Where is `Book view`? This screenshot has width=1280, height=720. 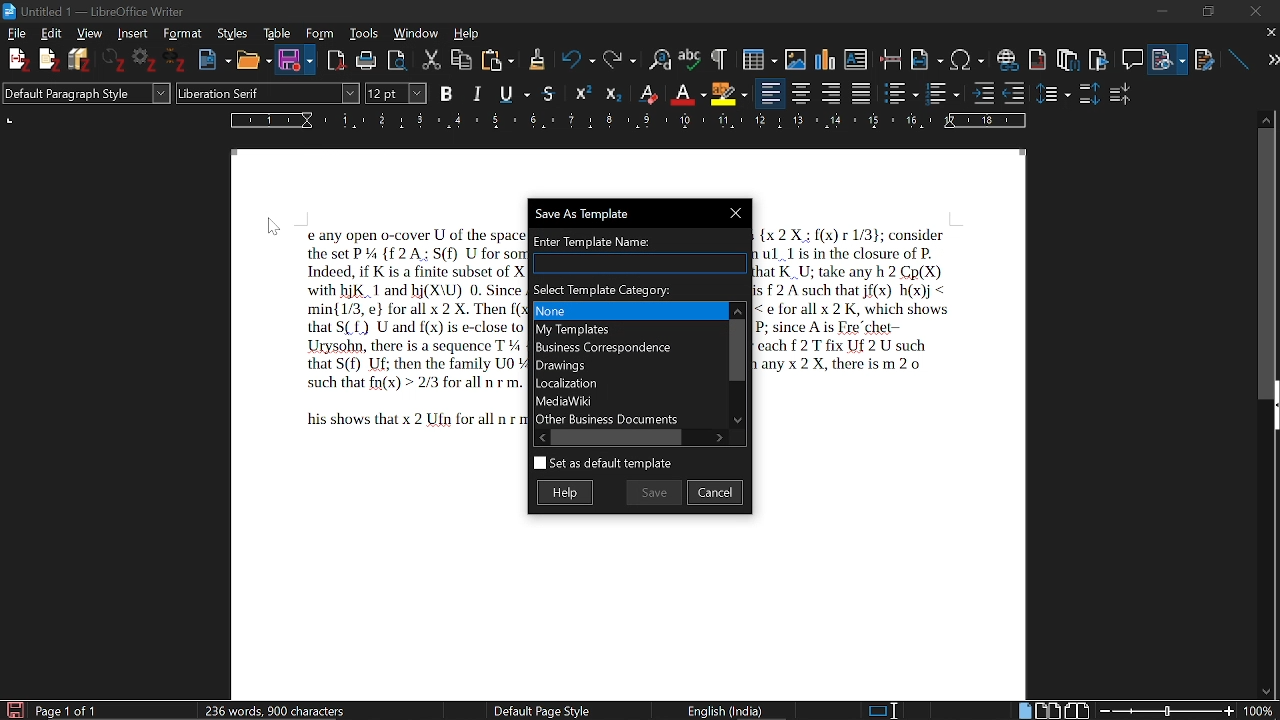 Book view is located at coordinates (1077, 709).